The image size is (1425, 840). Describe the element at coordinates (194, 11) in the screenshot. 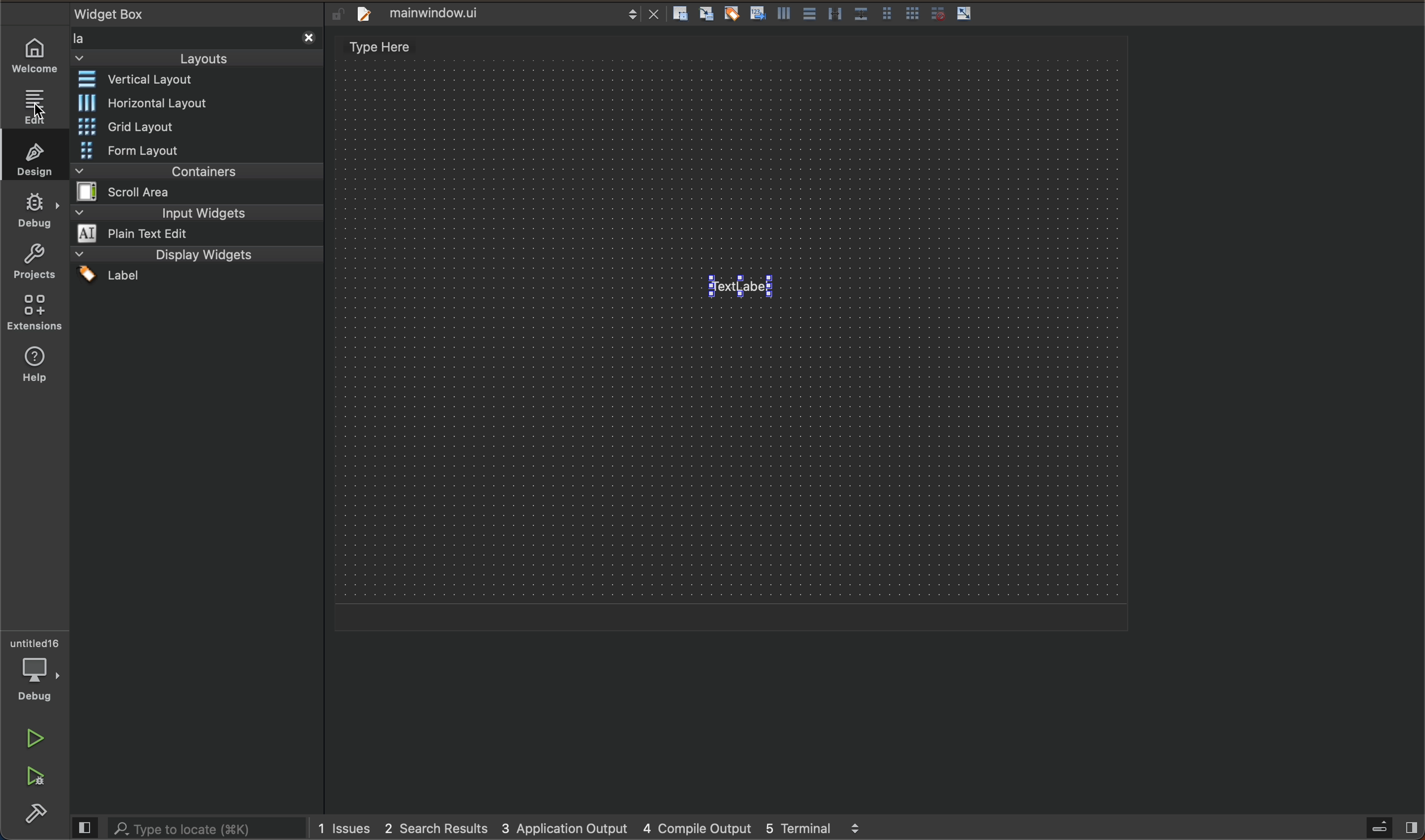

I see `widget box` at that location.